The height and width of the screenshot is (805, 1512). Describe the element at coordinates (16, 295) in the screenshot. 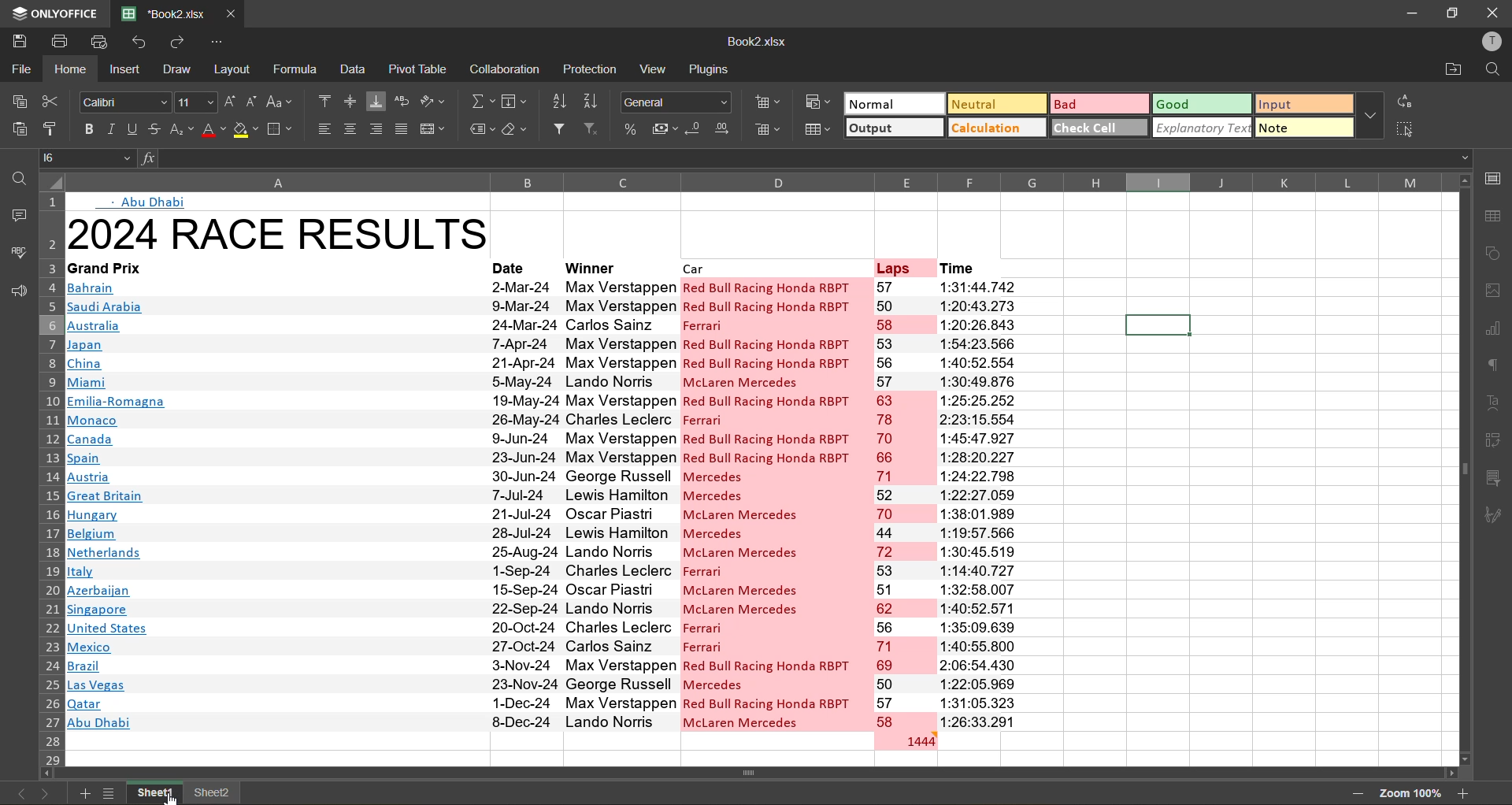

I see `feedback` at that location.